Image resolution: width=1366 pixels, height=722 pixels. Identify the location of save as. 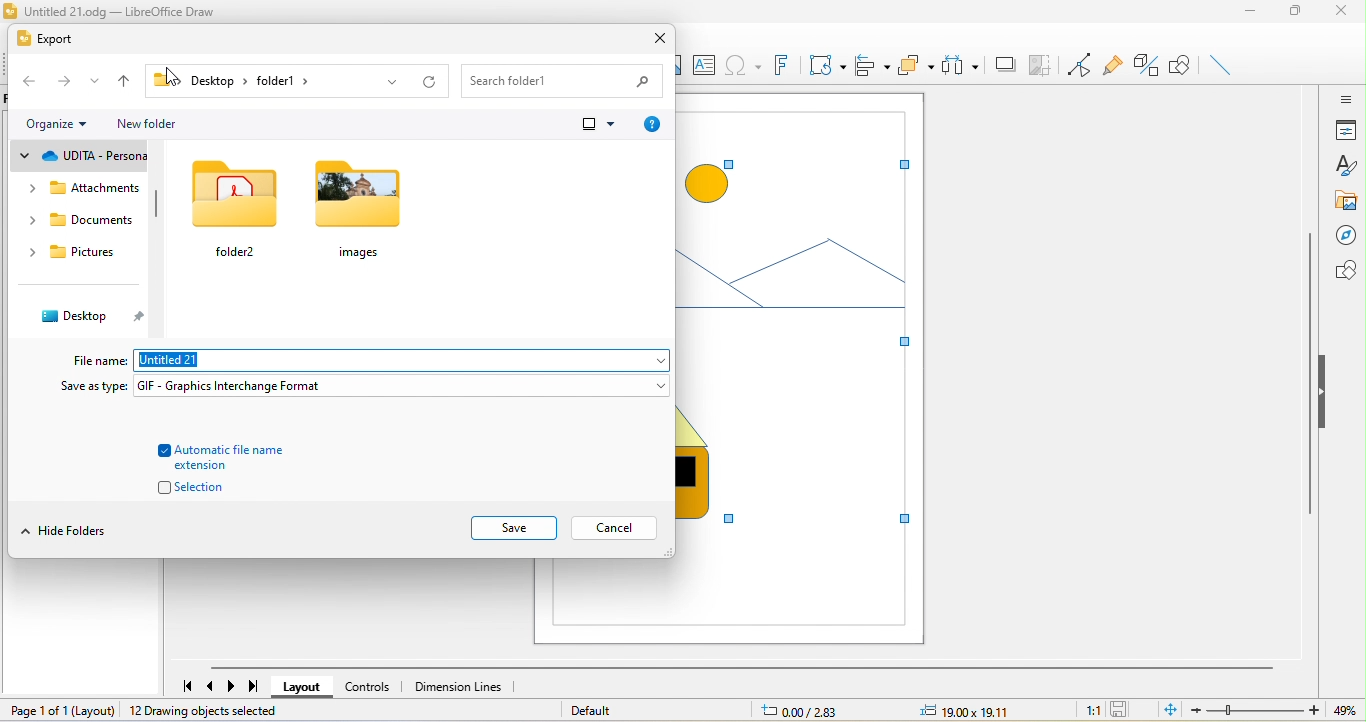
(94, 387).